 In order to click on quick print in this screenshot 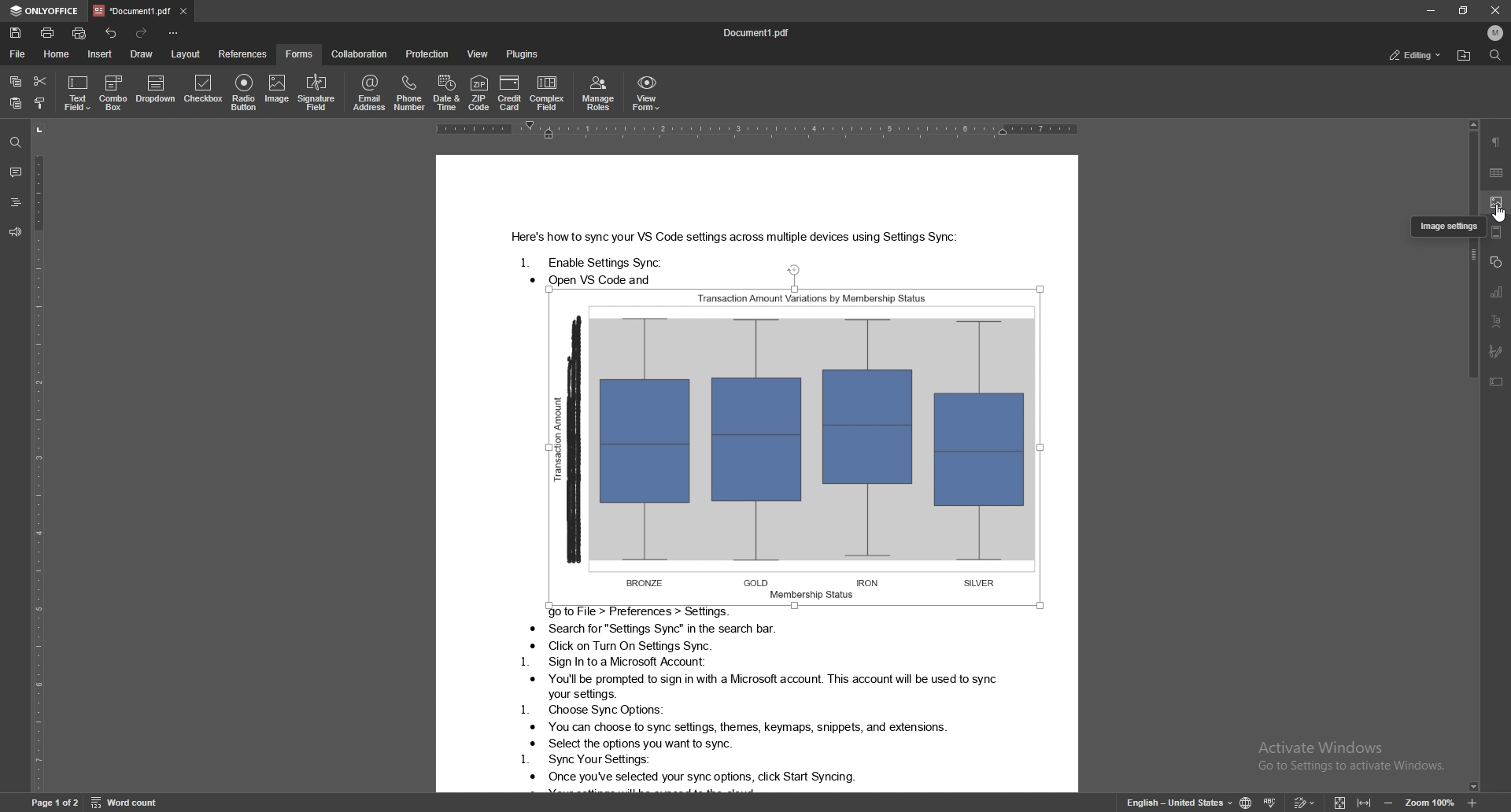, I will do `click(79, 32)`.